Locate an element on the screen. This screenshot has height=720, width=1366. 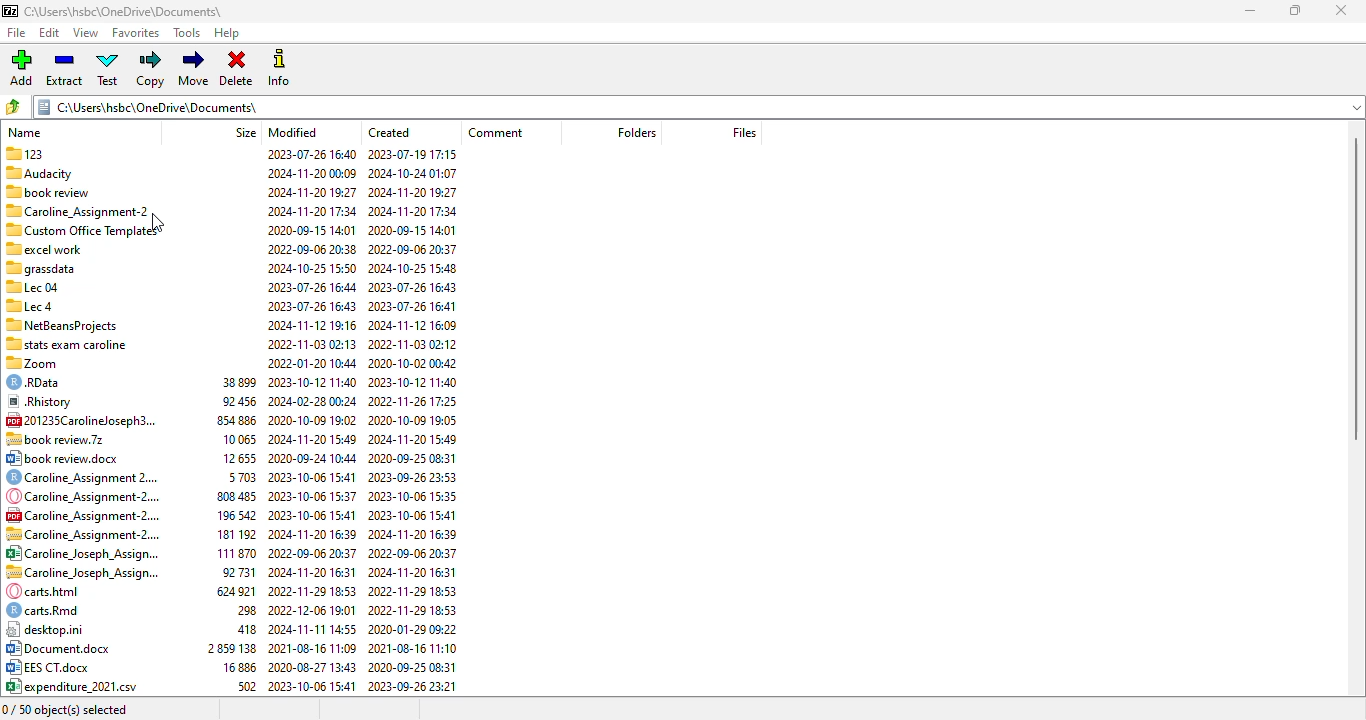
2024-11-11 14:55 is located at coordinates (314, 630).